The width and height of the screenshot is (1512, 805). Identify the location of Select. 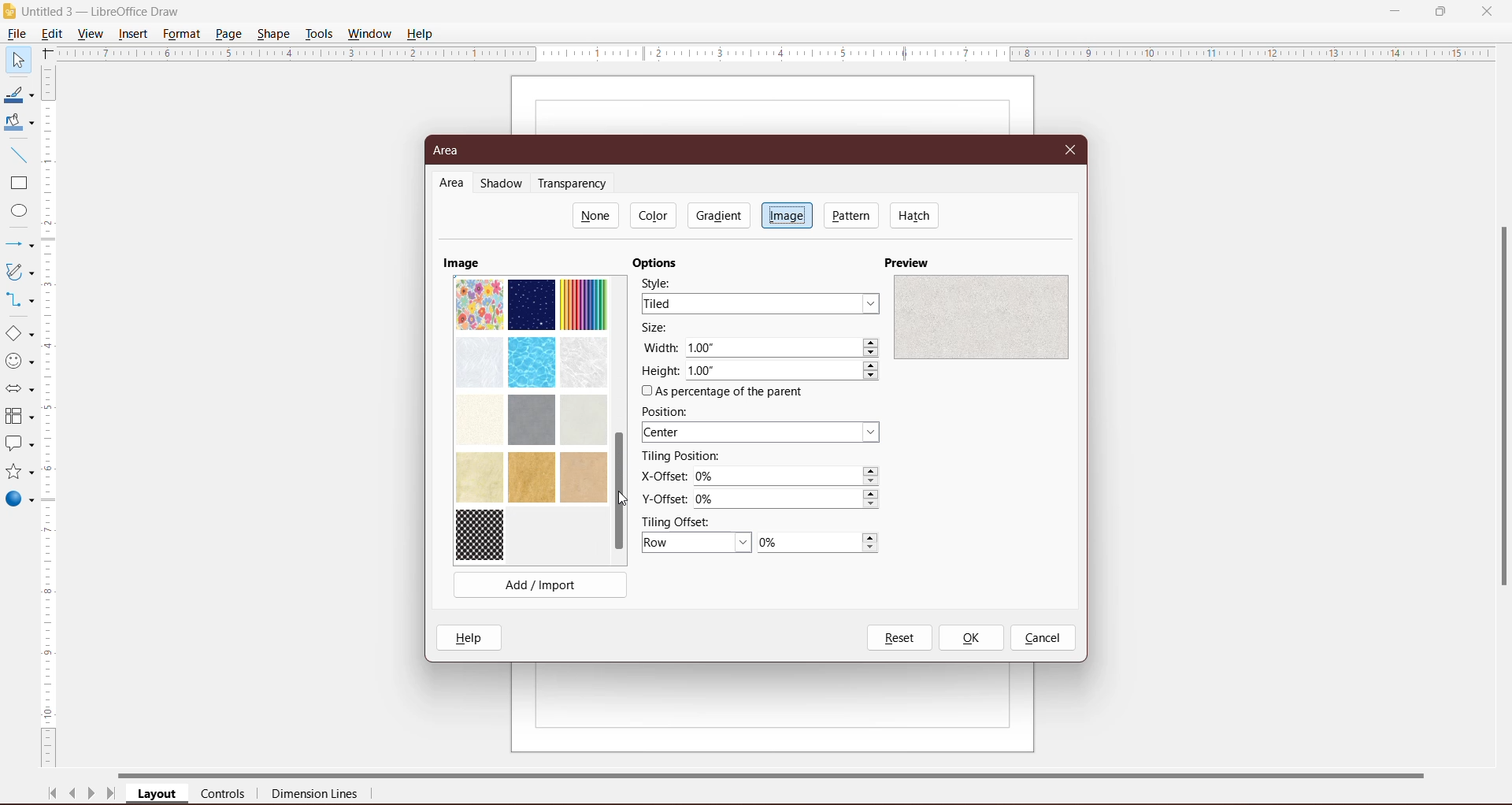
(17, 59).